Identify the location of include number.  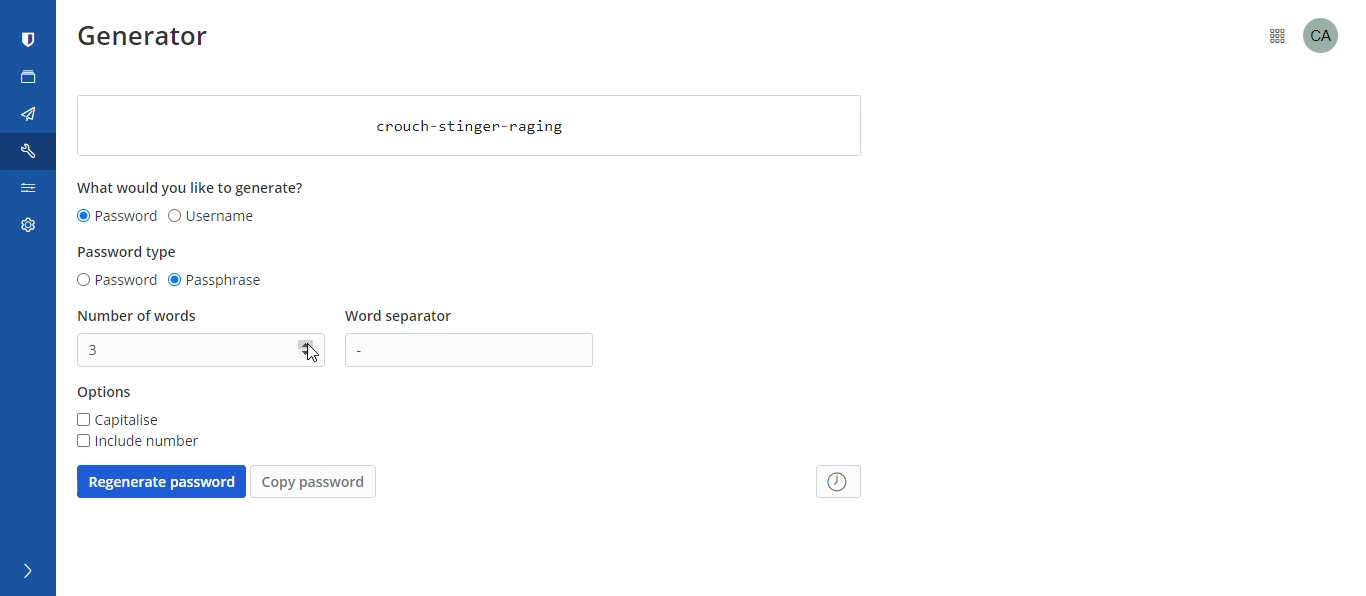
(136, 441).